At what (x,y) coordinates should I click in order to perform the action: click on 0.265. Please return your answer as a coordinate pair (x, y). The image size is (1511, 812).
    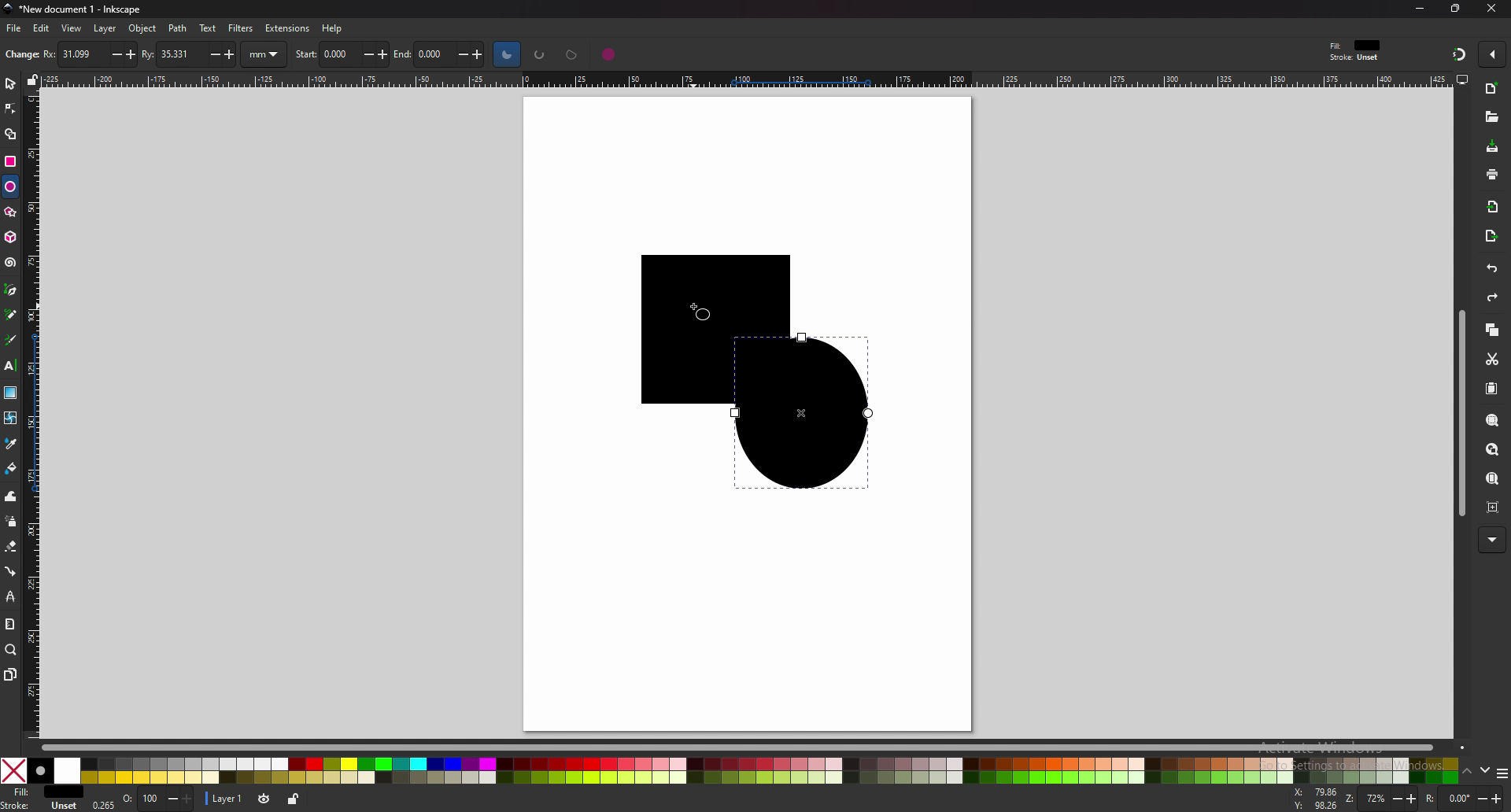
    Looking at the image, I should click on (105, 802).